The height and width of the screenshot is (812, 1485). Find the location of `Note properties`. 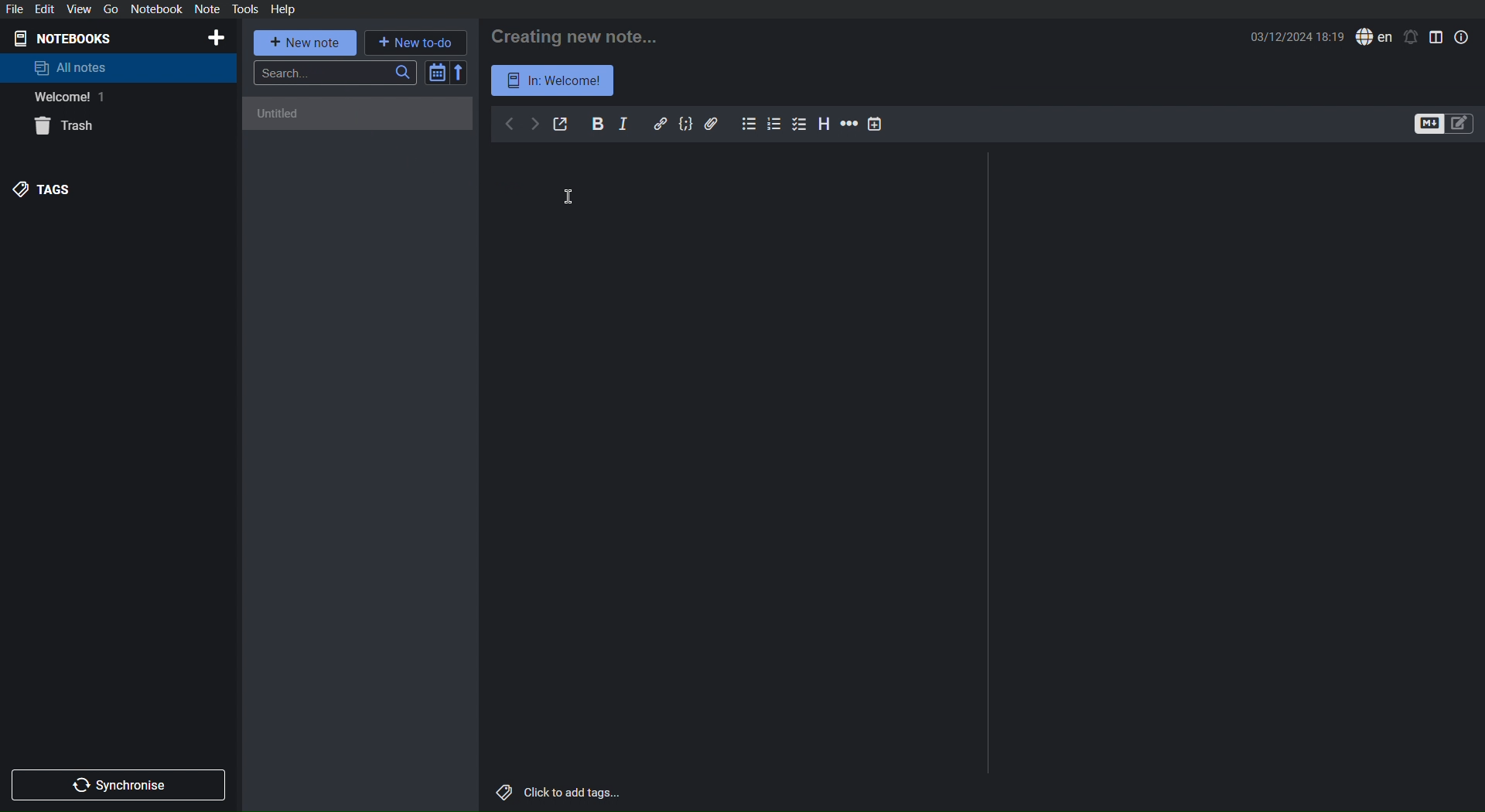

Note properties is located at coordinates (1461, 36).